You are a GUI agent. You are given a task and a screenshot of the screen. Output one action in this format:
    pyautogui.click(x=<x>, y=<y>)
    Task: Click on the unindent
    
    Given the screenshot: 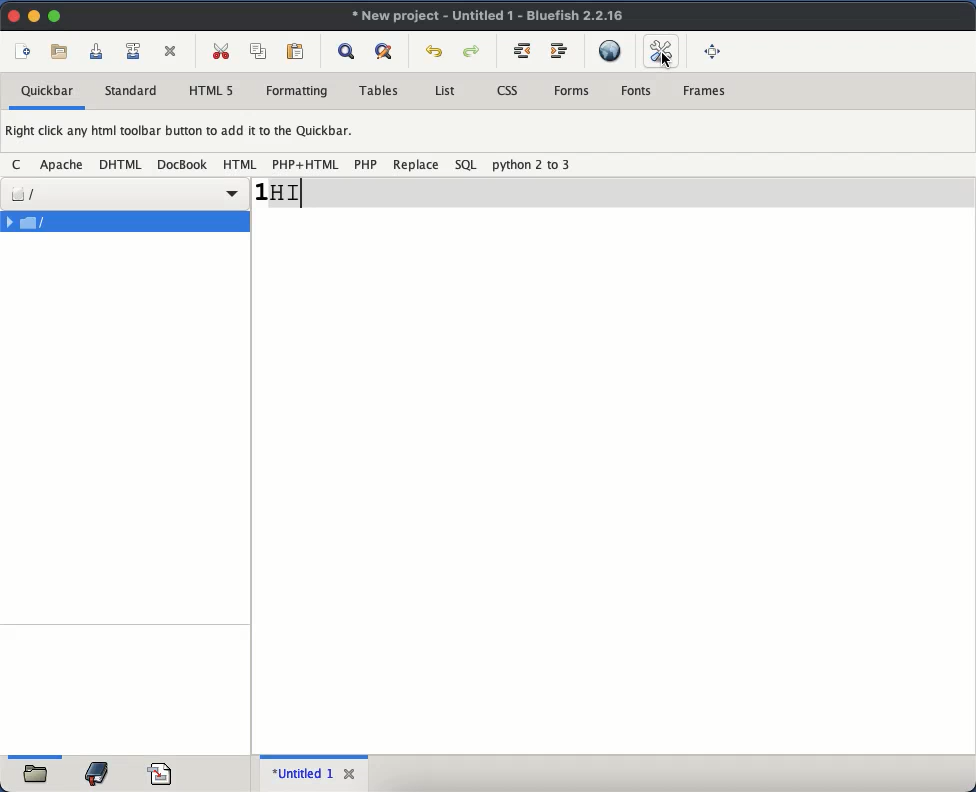 What is the action you would take?
    pyautogui.click(x=524, y=53)
    